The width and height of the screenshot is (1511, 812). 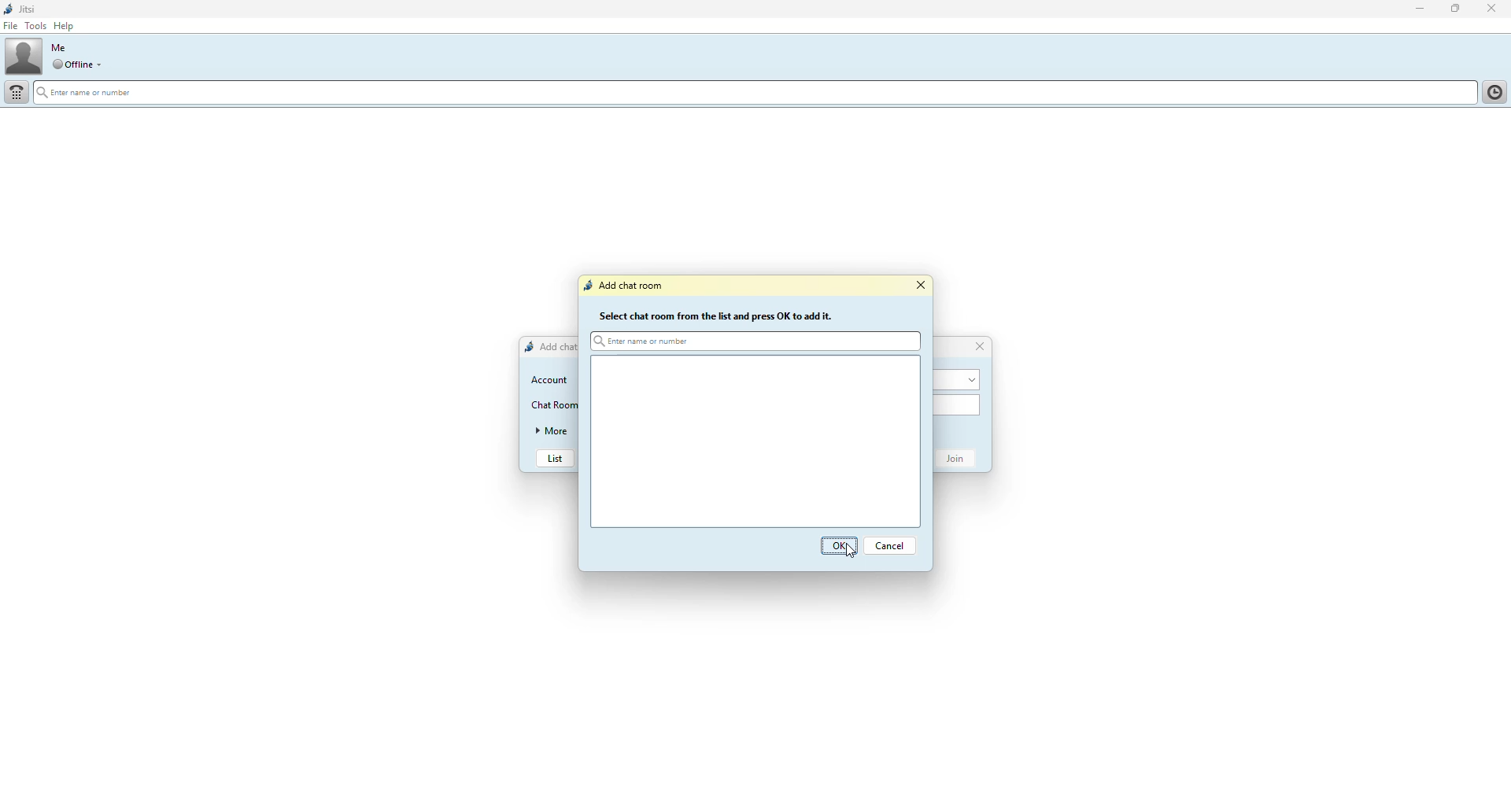 I want to click on chat room, so click(x=553, y=405).